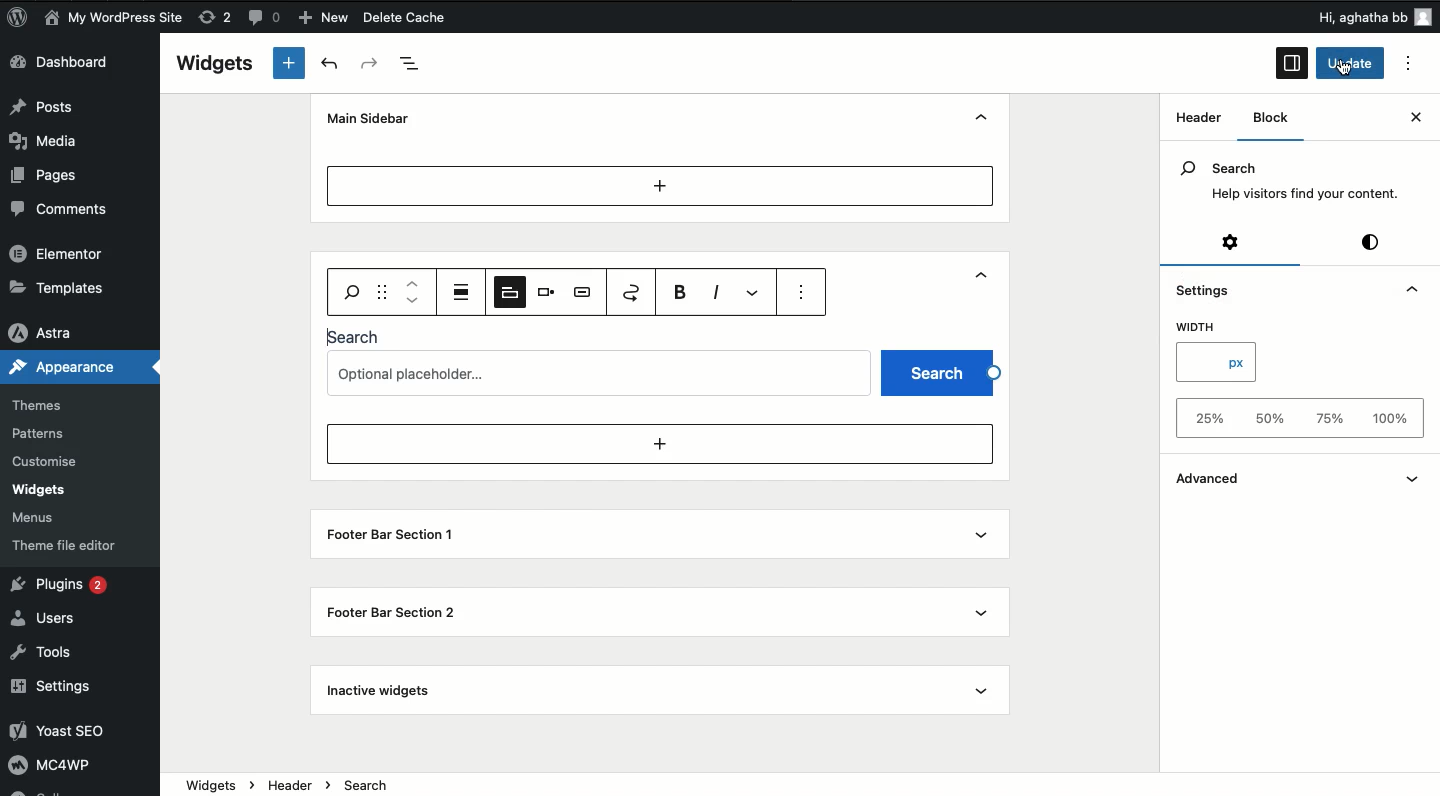 The width and height of the screenshot is (1440, 796). What do you see at coordinates (350, 290) in the screenshot?
I see `Search bar` at bounding box center [350, 290].